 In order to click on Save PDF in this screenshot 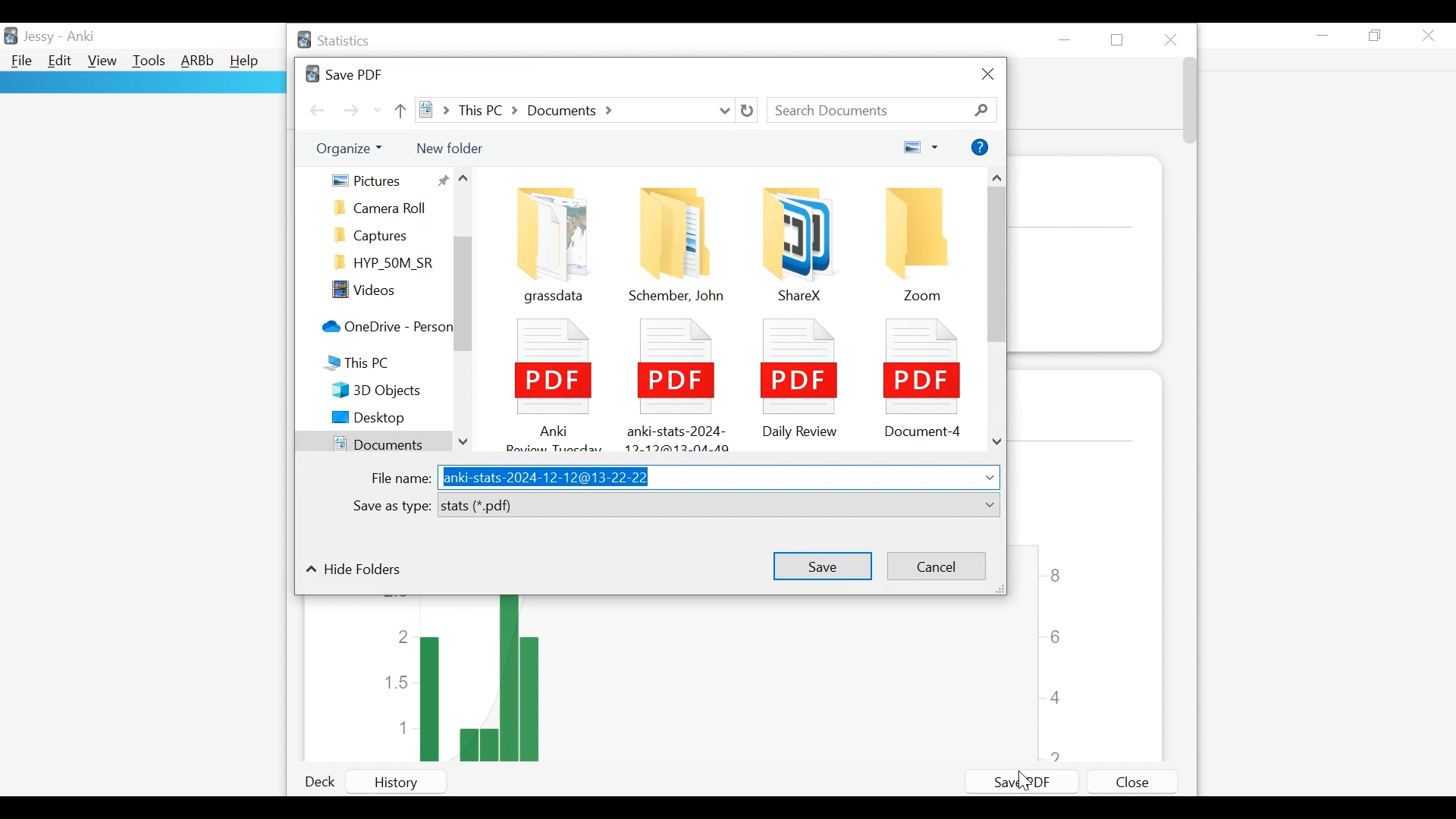, I will do `click(343, 73)`.